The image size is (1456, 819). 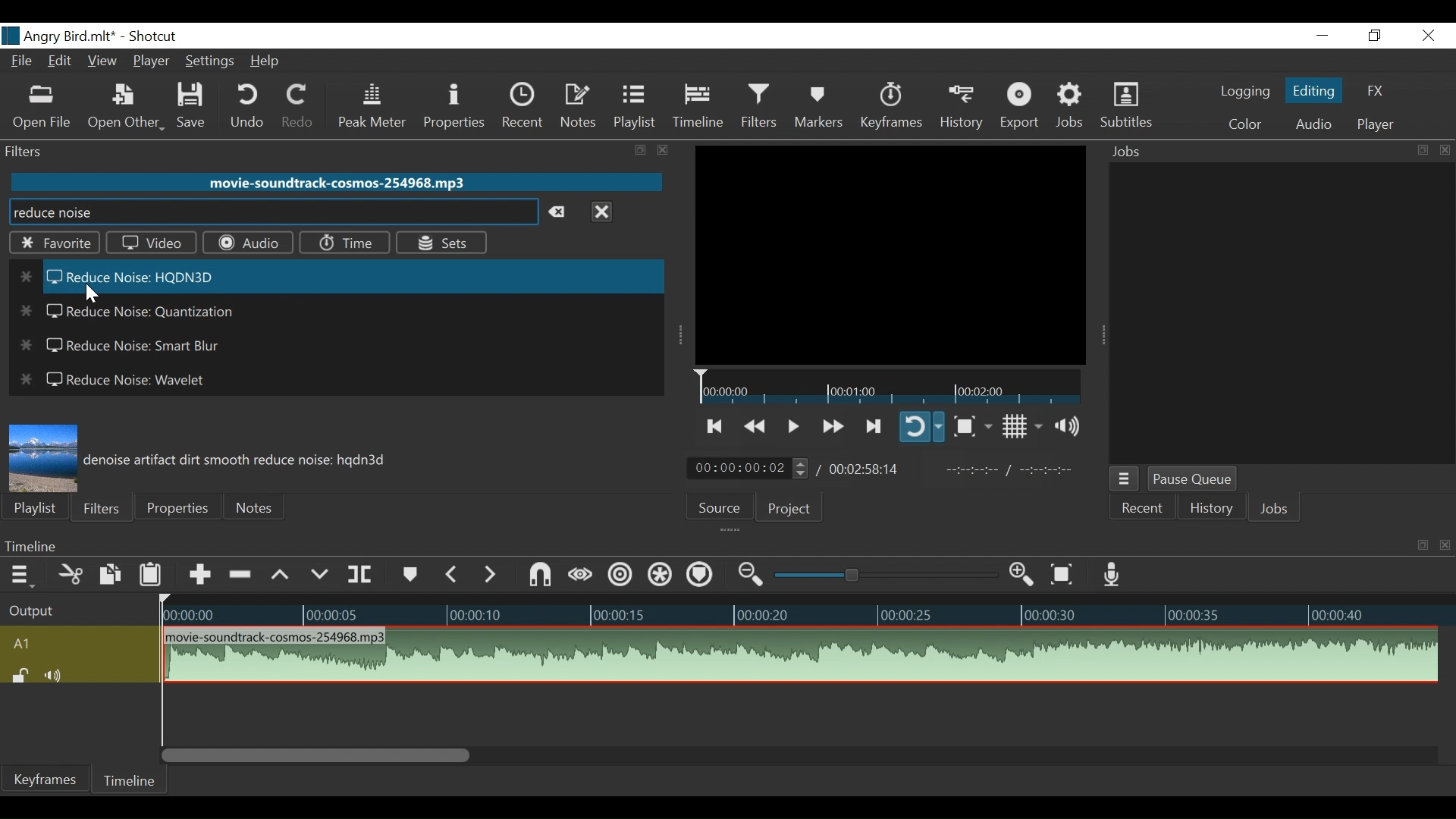 What do you see at coordinates (634, 106) in the screenshot?
I see `Playlist` at bounding box center [634, 106].